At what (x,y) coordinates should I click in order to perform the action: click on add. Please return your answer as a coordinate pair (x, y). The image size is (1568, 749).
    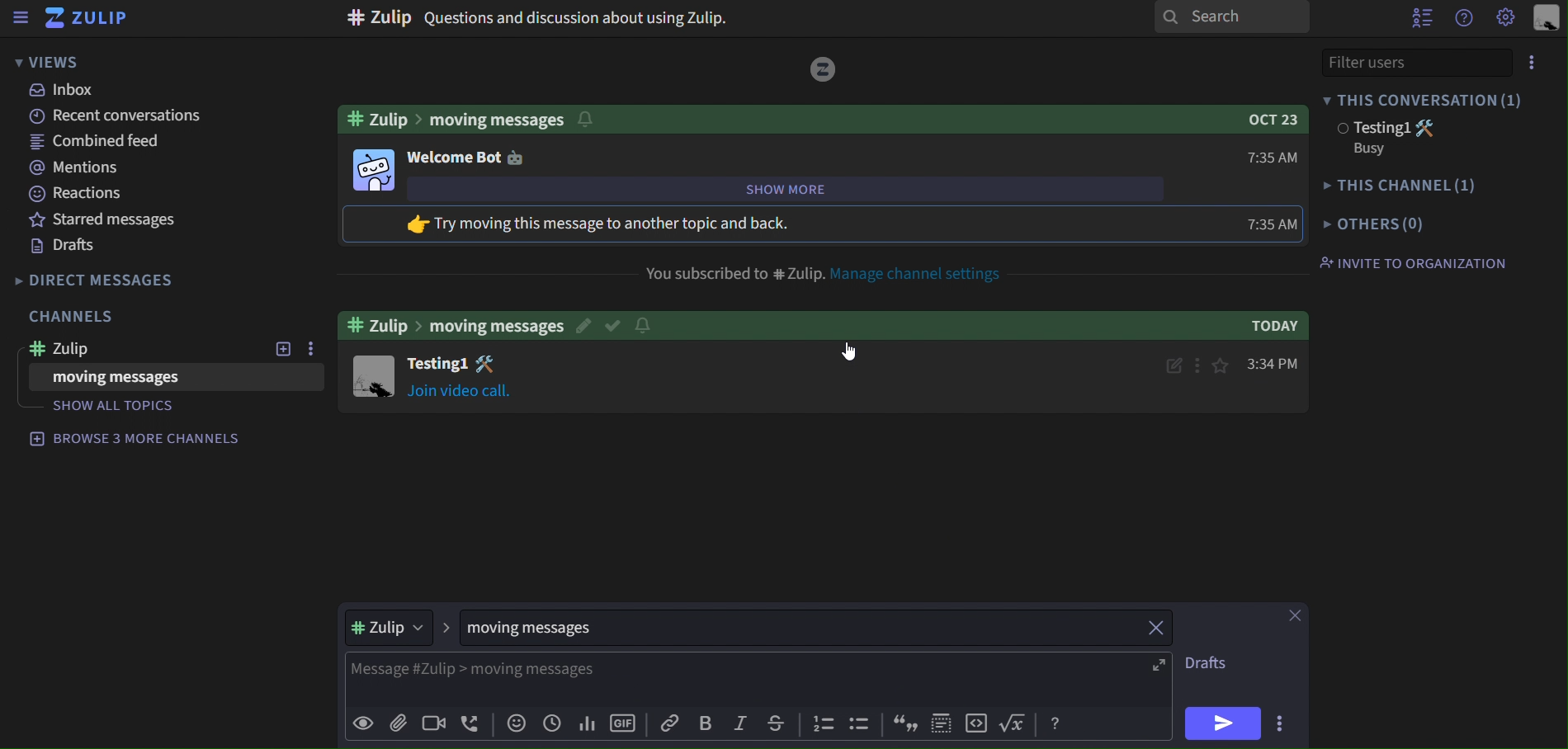
    Looking at the image, I should click on (282, 351).